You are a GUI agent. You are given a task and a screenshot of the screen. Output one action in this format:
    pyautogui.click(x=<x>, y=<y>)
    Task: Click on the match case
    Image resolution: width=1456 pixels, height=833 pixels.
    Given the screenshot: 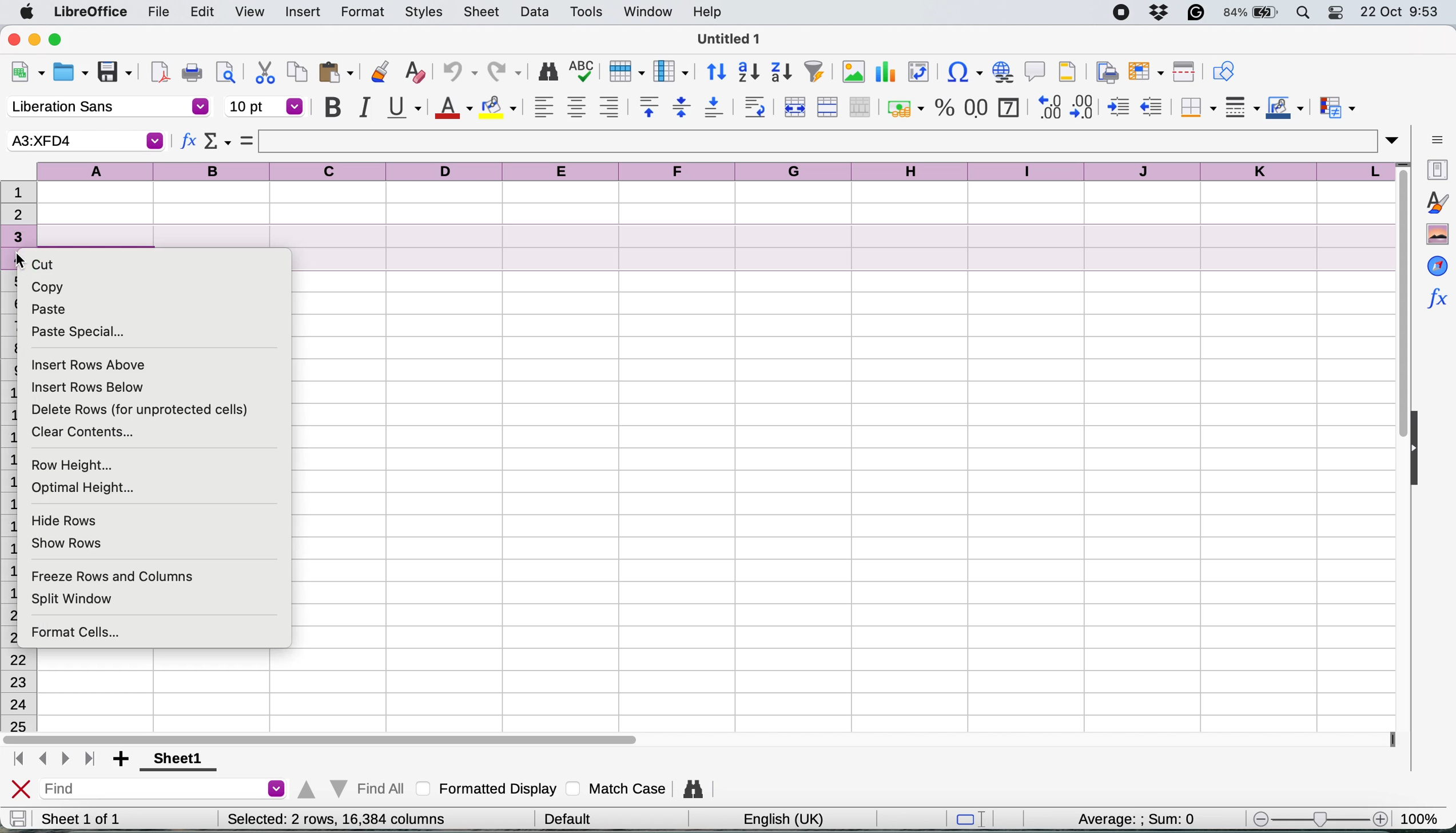 What is the action you would take?
    pyautogui.click(x=616, y=788)
    